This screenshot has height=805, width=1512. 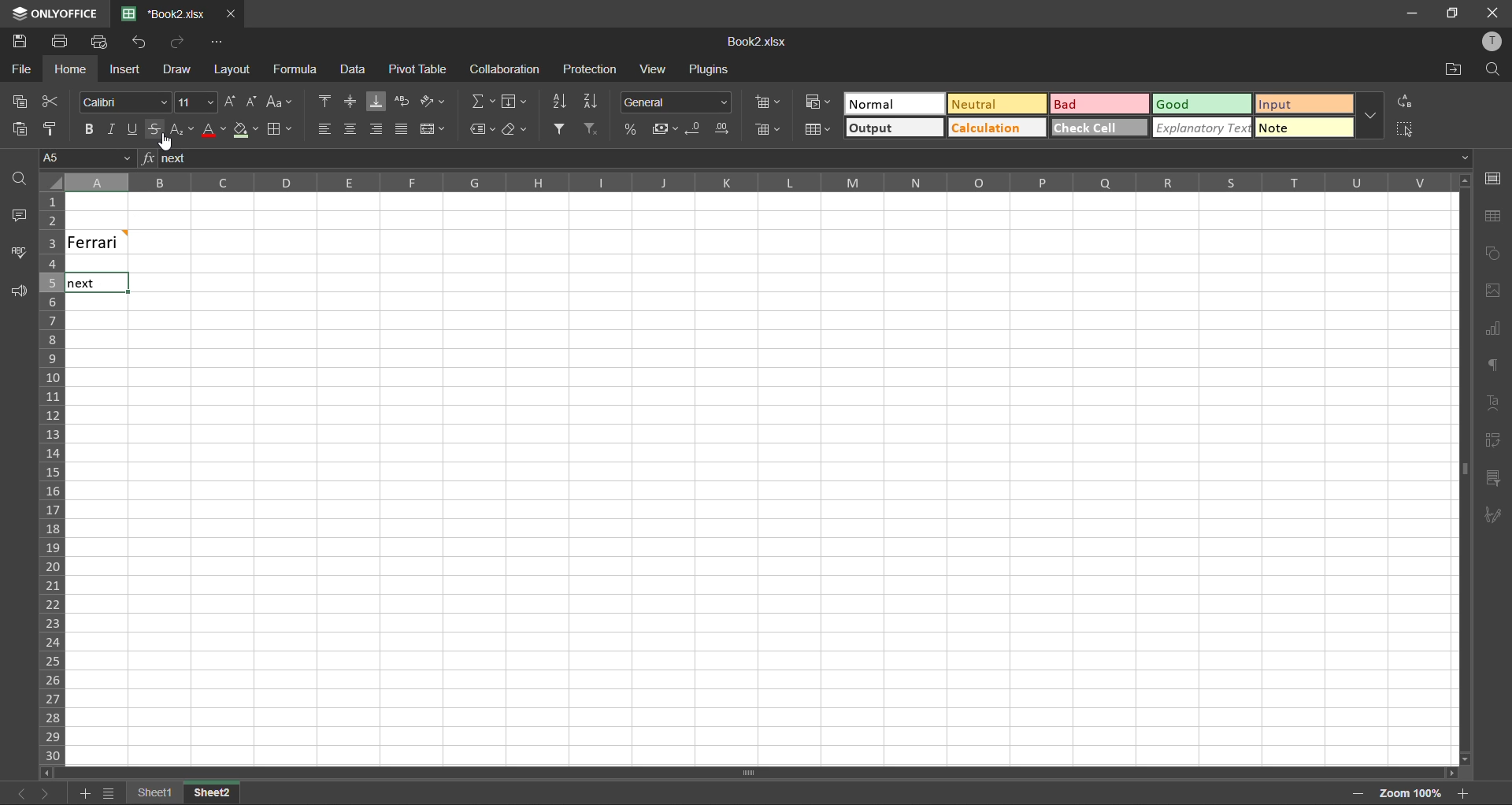 I want to click on feedback, so click(x=17, y=295).